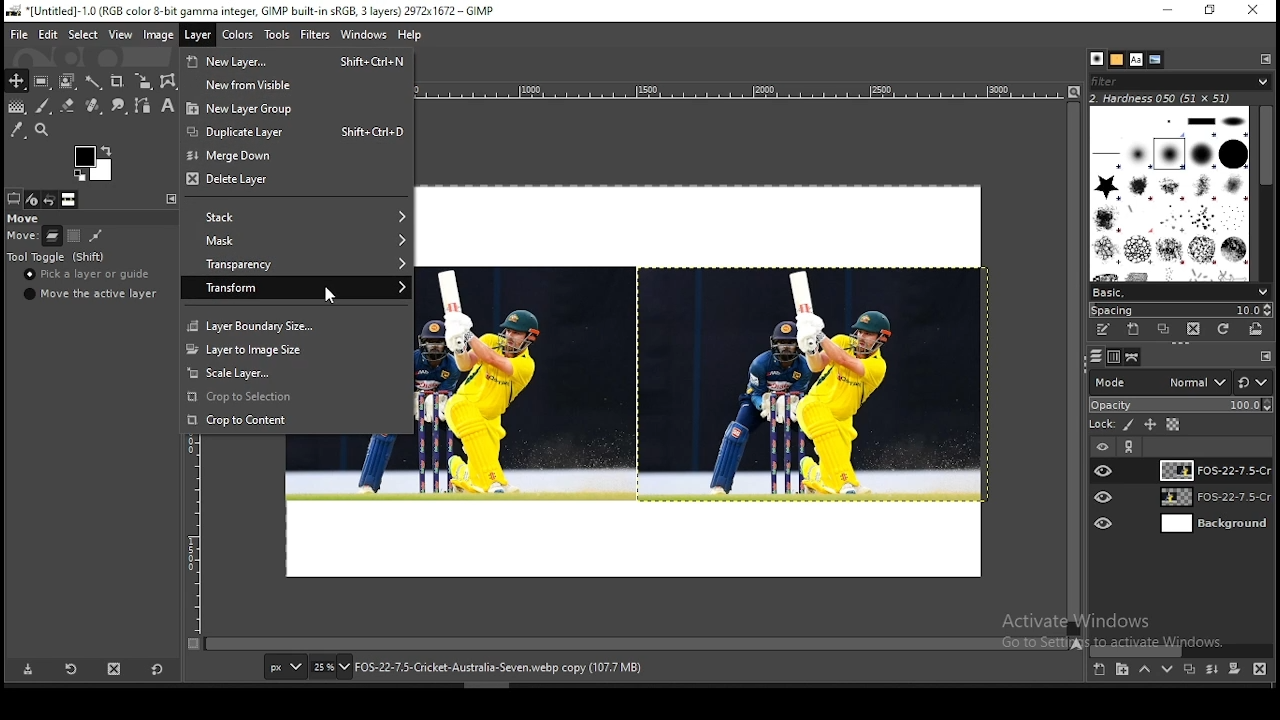  What do you see at coordinates (1117, 59) in the screenshot?
I see `patterns` at bounding box center [1117, 59].